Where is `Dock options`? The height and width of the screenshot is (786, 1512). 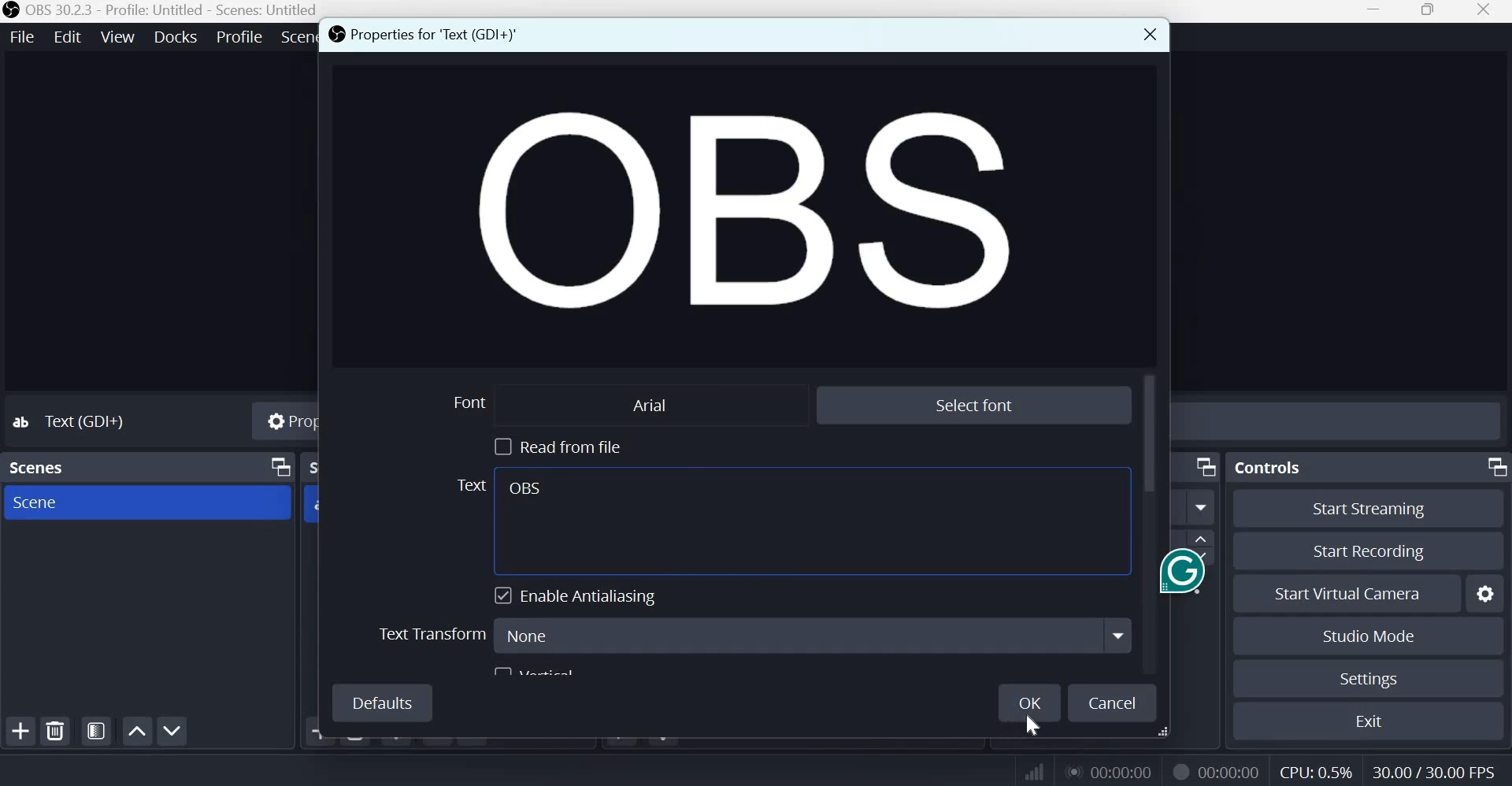
Dock options is located at coordinates (278, 468).